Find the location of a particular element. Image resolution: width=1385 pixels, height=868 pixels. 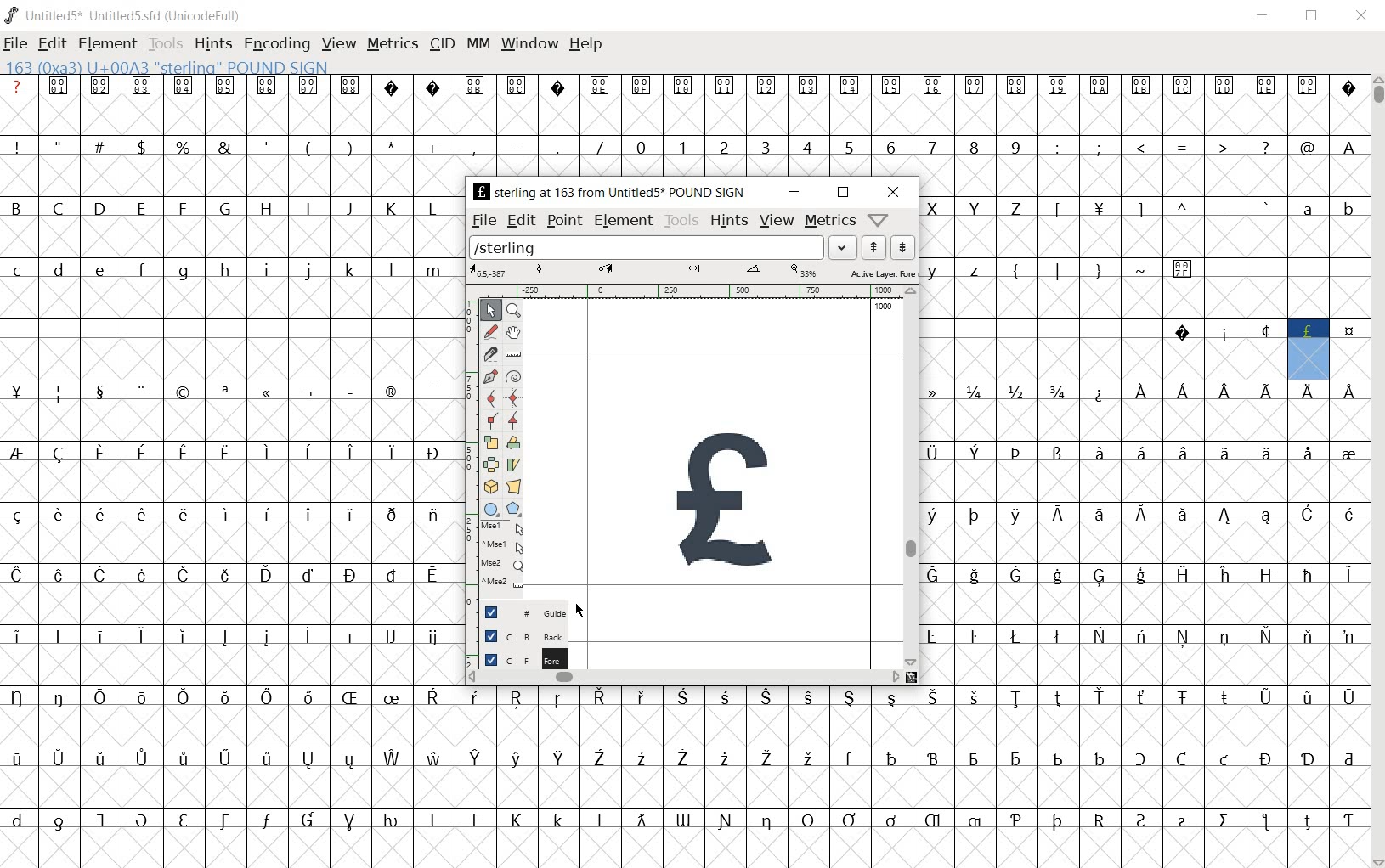

Symbol is located at coordinates (1225, 454).